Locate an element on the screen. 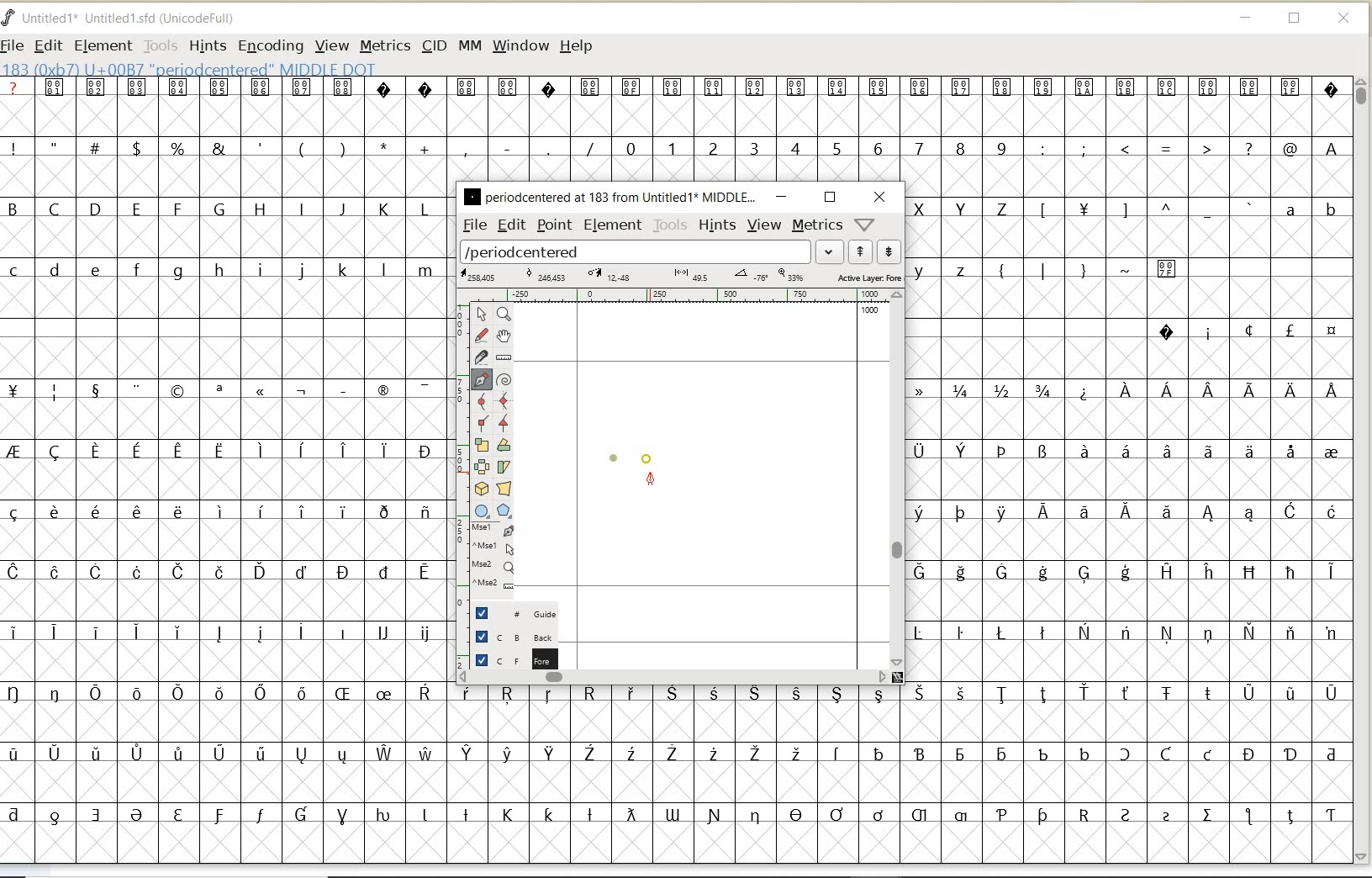 Image resolution: width=1372 pixels, height=878 pixels. special characters is located at coordinates (895, 761).